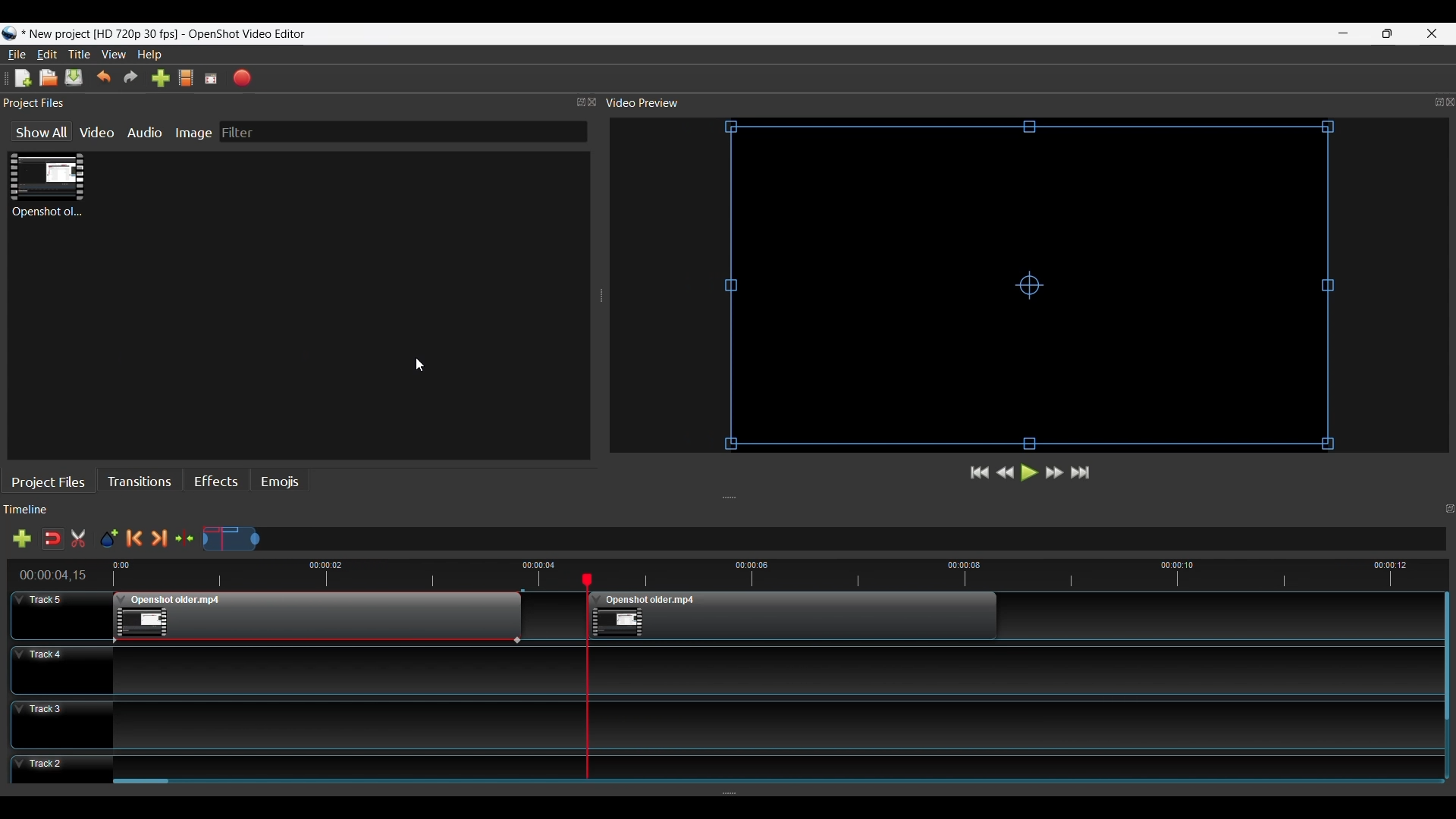 Image resolution: width=1456 pixels, height=819 pixels. I want to click on Track Panel, so click(770, 764).